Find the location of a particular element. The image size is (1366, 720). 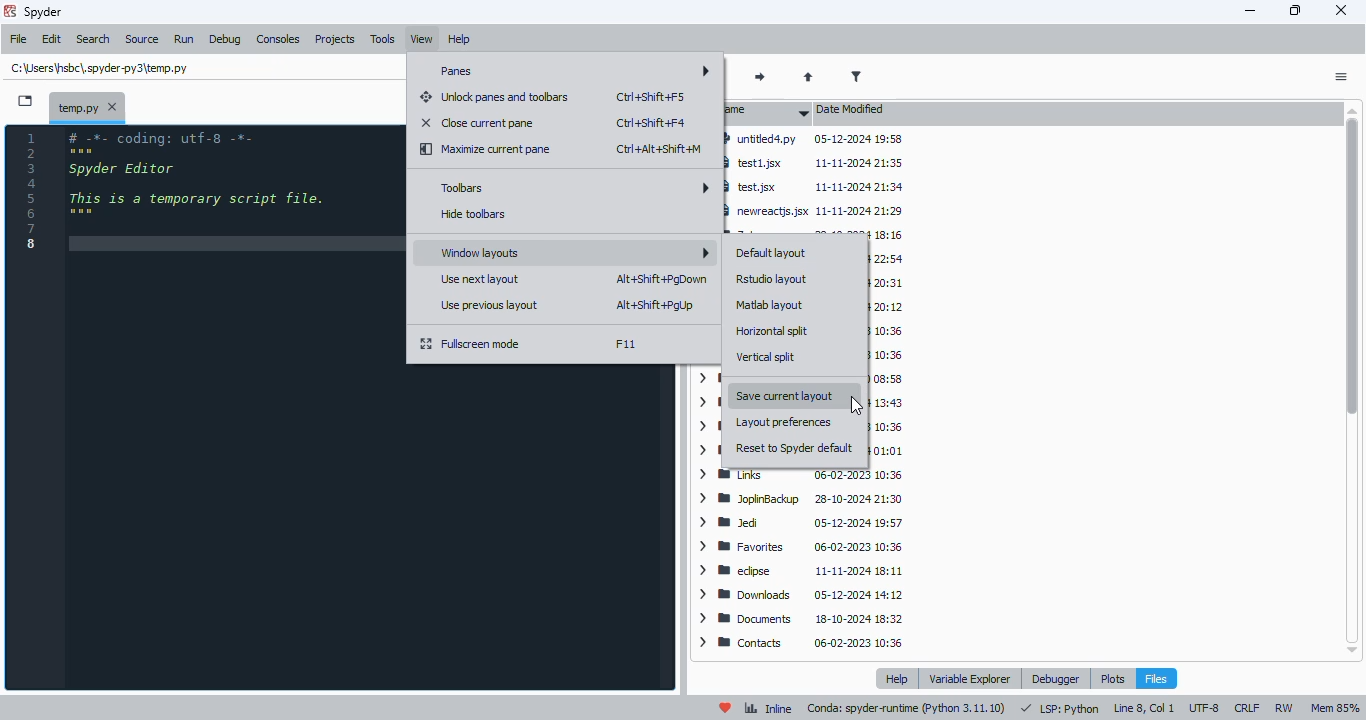

layout preferences is located at coordinates (782, 421).